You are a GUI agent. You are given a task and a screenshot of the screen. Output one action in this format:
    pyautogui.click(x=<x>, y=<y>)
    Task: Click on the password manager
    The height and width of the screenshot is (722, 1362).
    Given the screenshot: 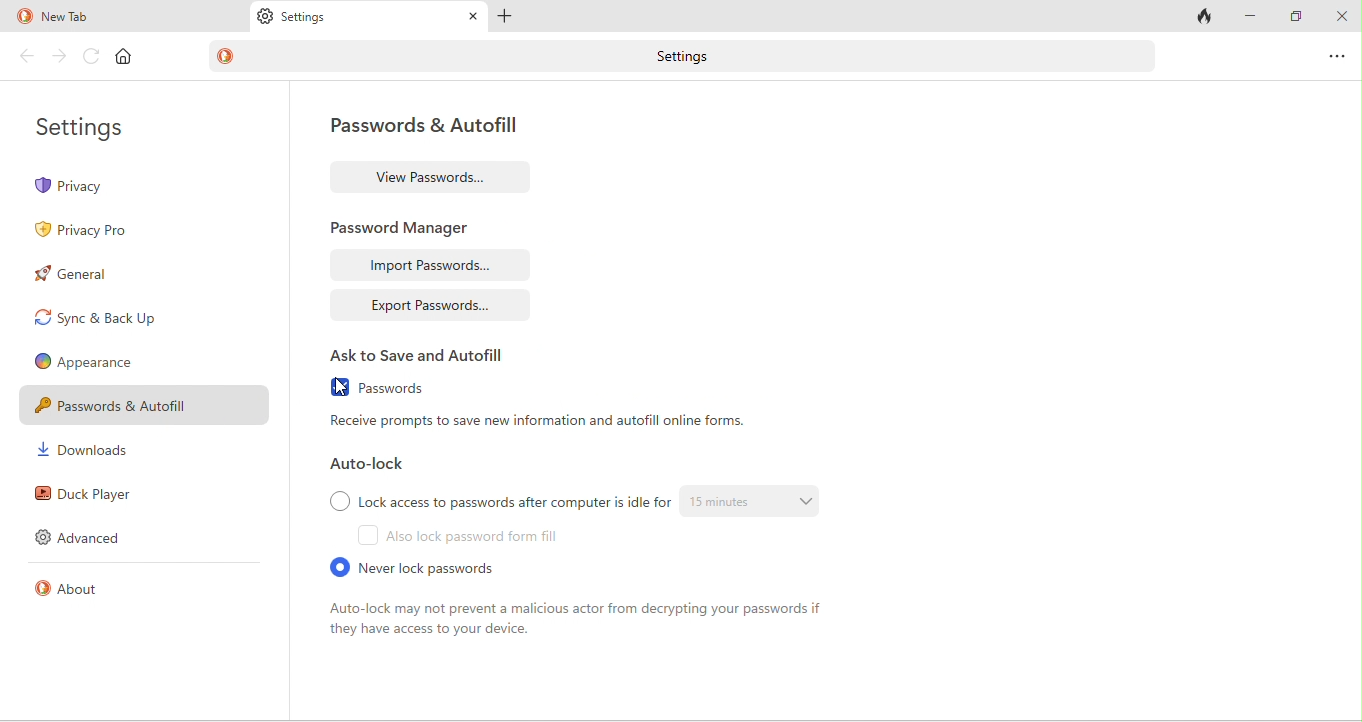 What is the action you would take?
    pyautogui.click(x=412, y=224)
    